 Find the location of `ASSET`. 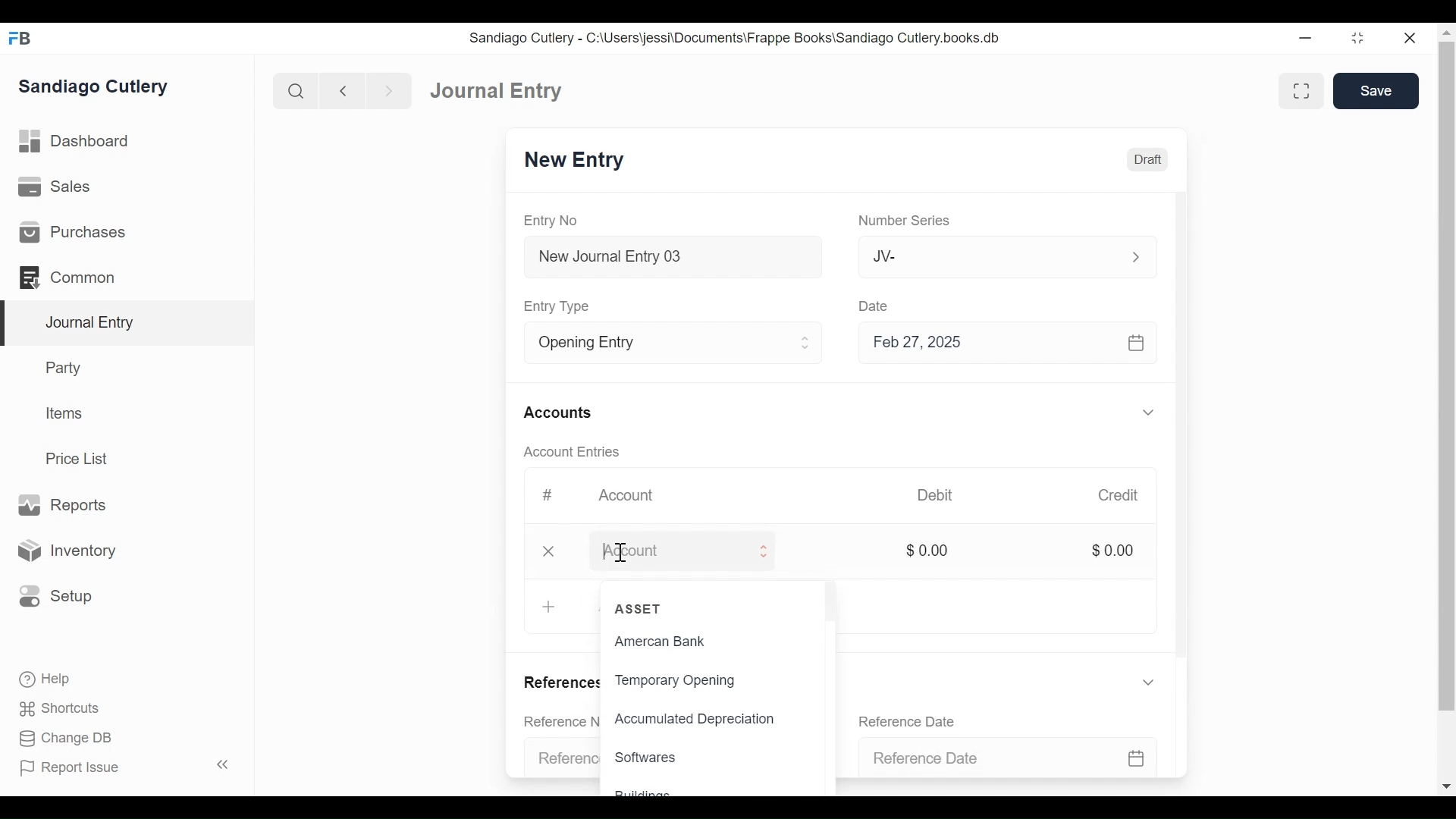

ASSET is located at coordinates (642, 610).